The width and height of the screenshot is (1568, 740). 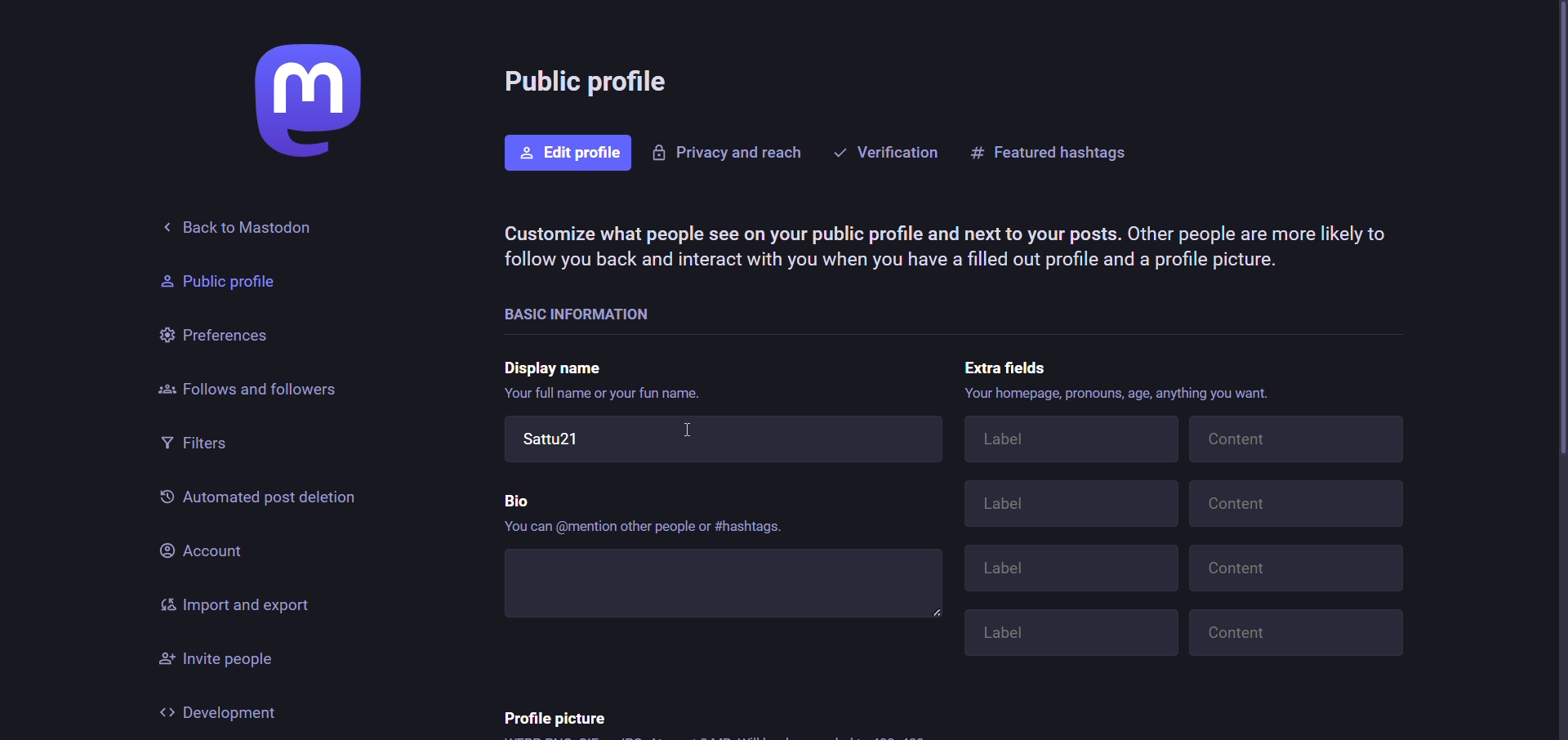 I want to click on basic information, so click(x=616, y=312).